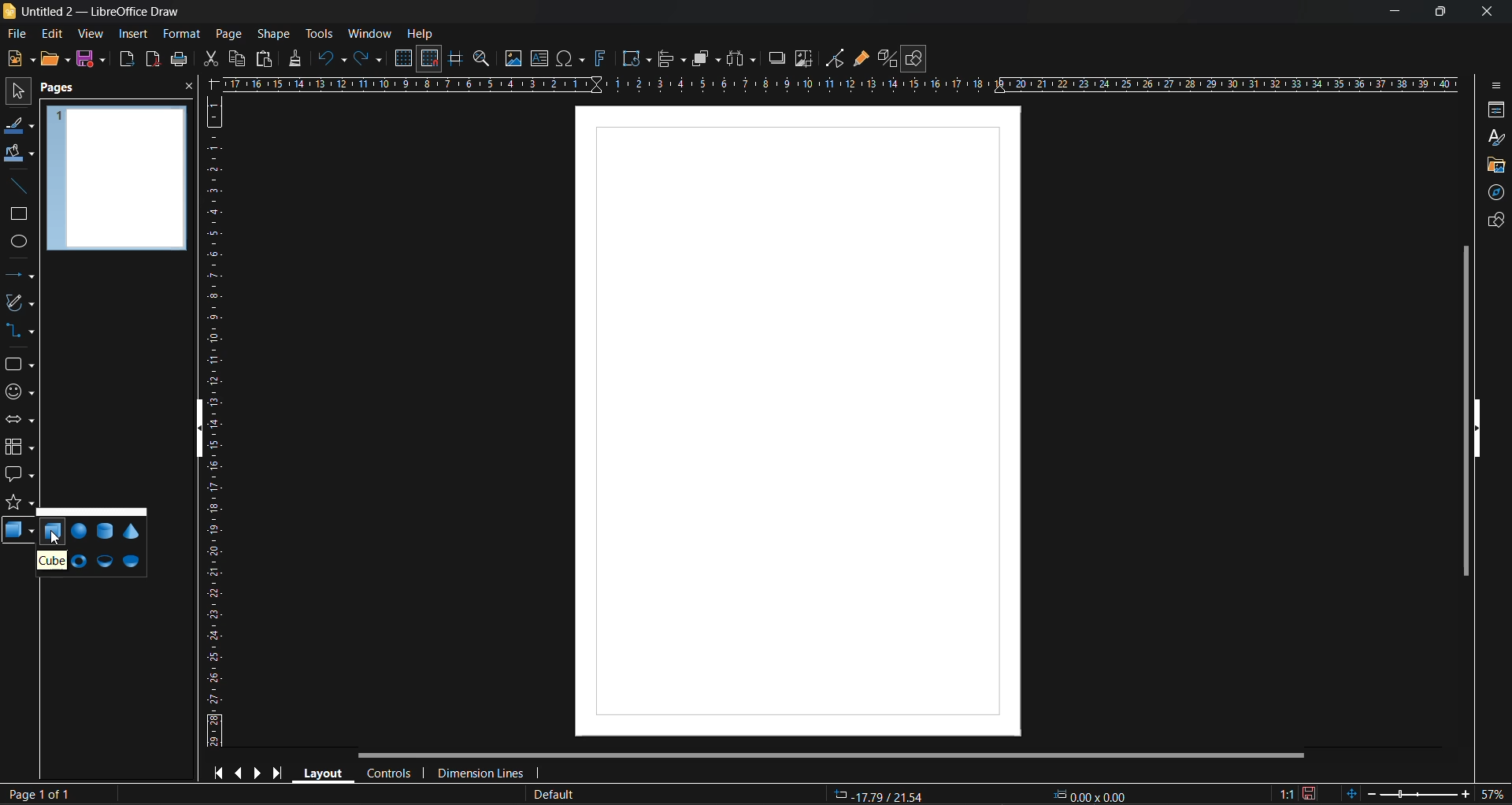 Image resolution: width=1512 pixels, height=805 pixels. Describe the element at coordinates (277, 33) in the screenshot. I see `shape` at that location.